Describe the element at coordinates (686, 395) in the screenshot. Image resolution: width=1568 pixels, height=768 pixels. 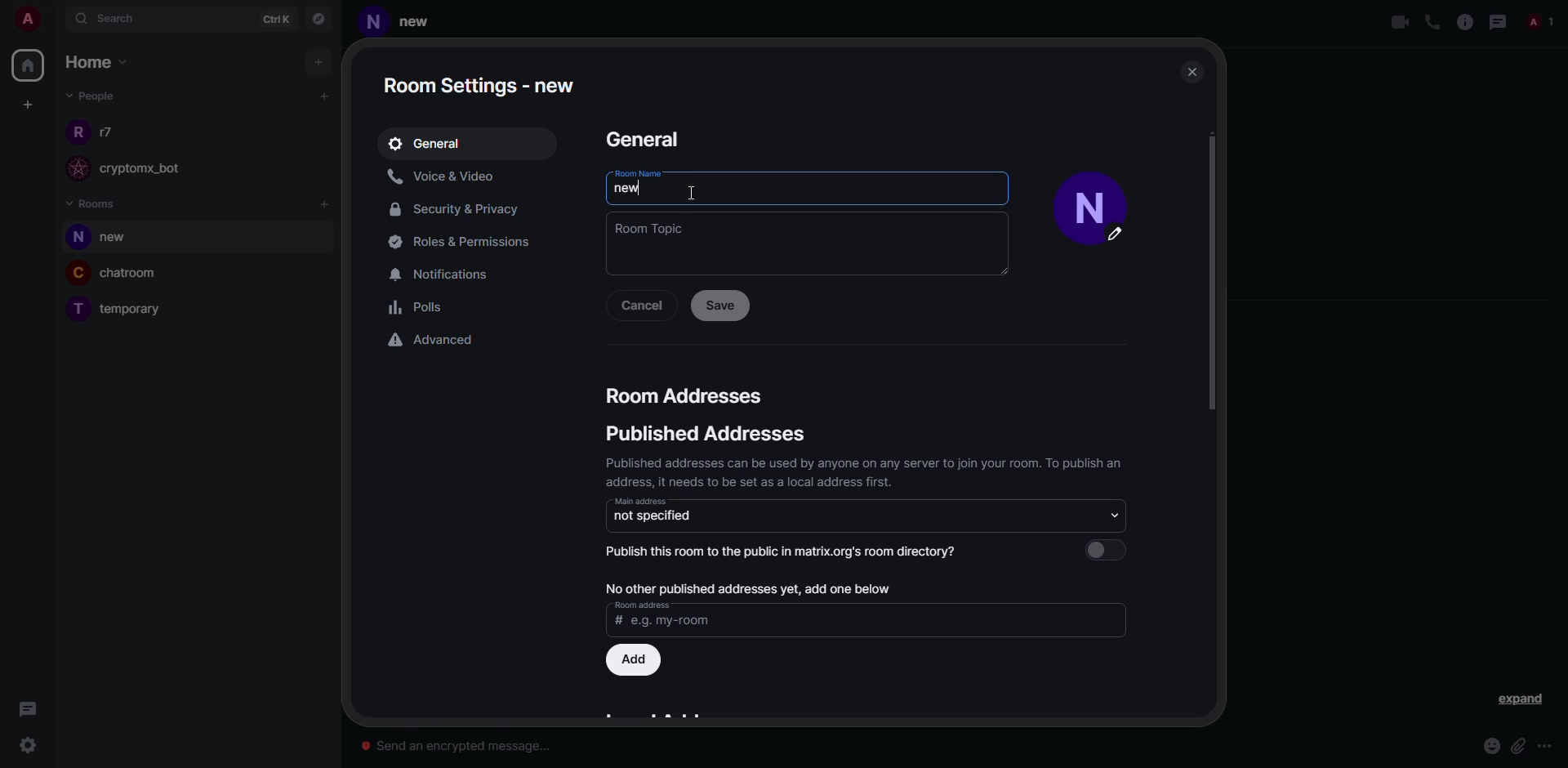
I see `room addresses` at that location.